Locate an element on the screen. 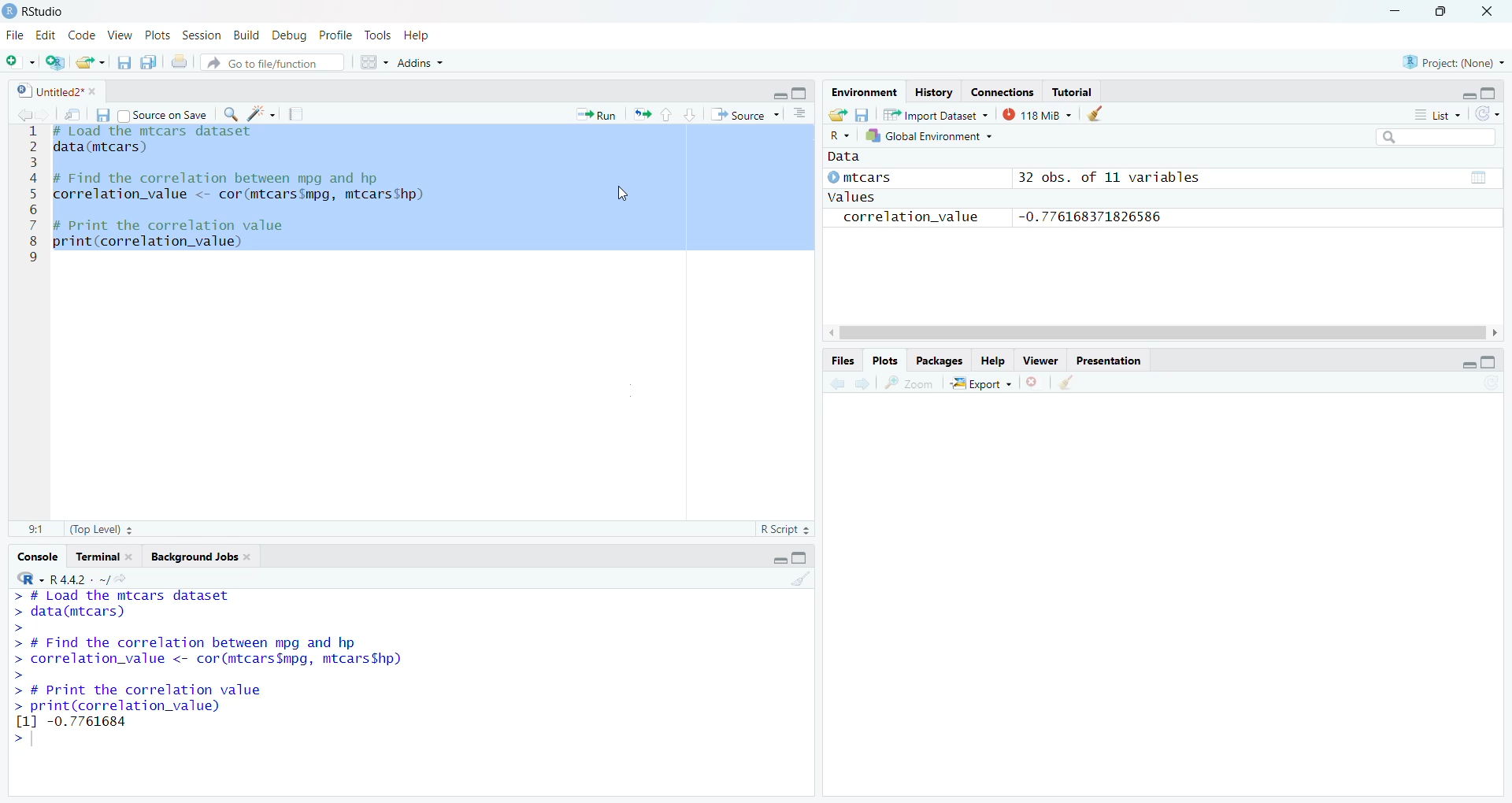 Image resolution: width=1512 pixels, height=803 pixels. Addins is located at coordinates (423, 62).